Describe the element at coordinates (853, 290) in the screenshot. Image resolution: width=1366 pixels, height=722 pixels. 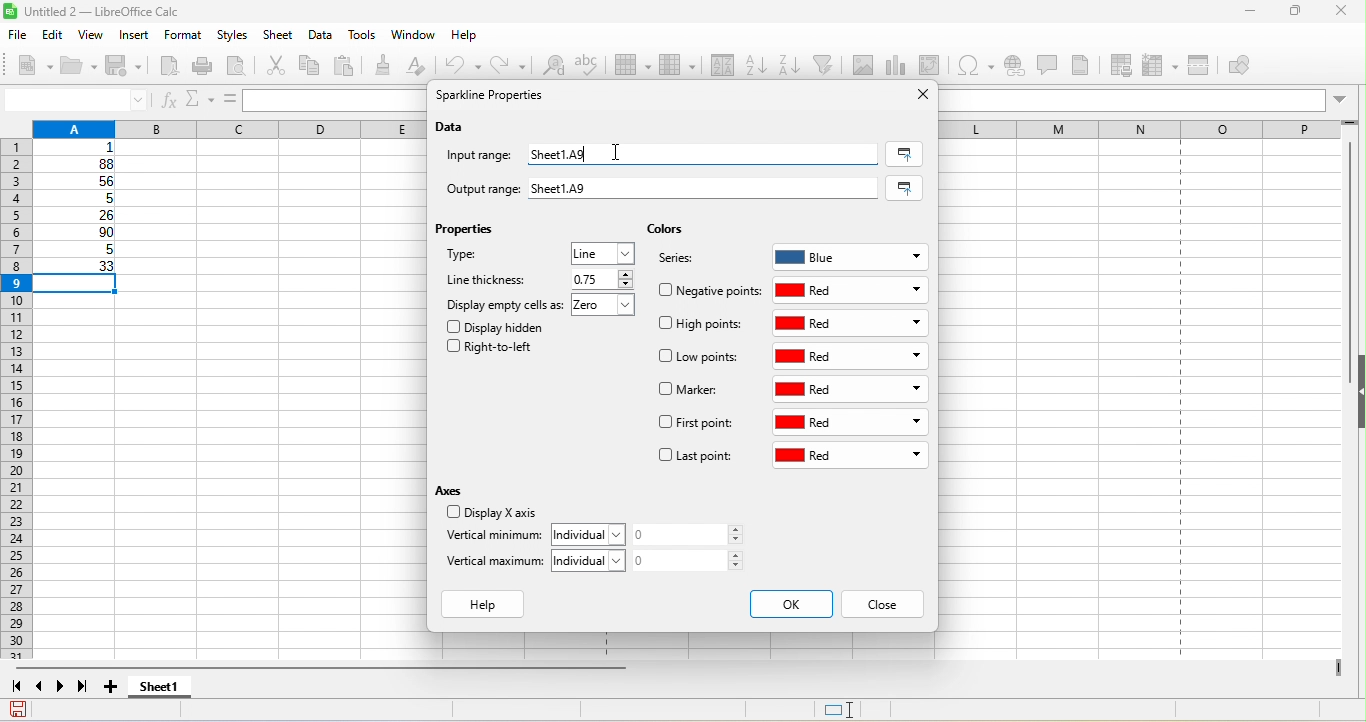
I see `red` at that location.